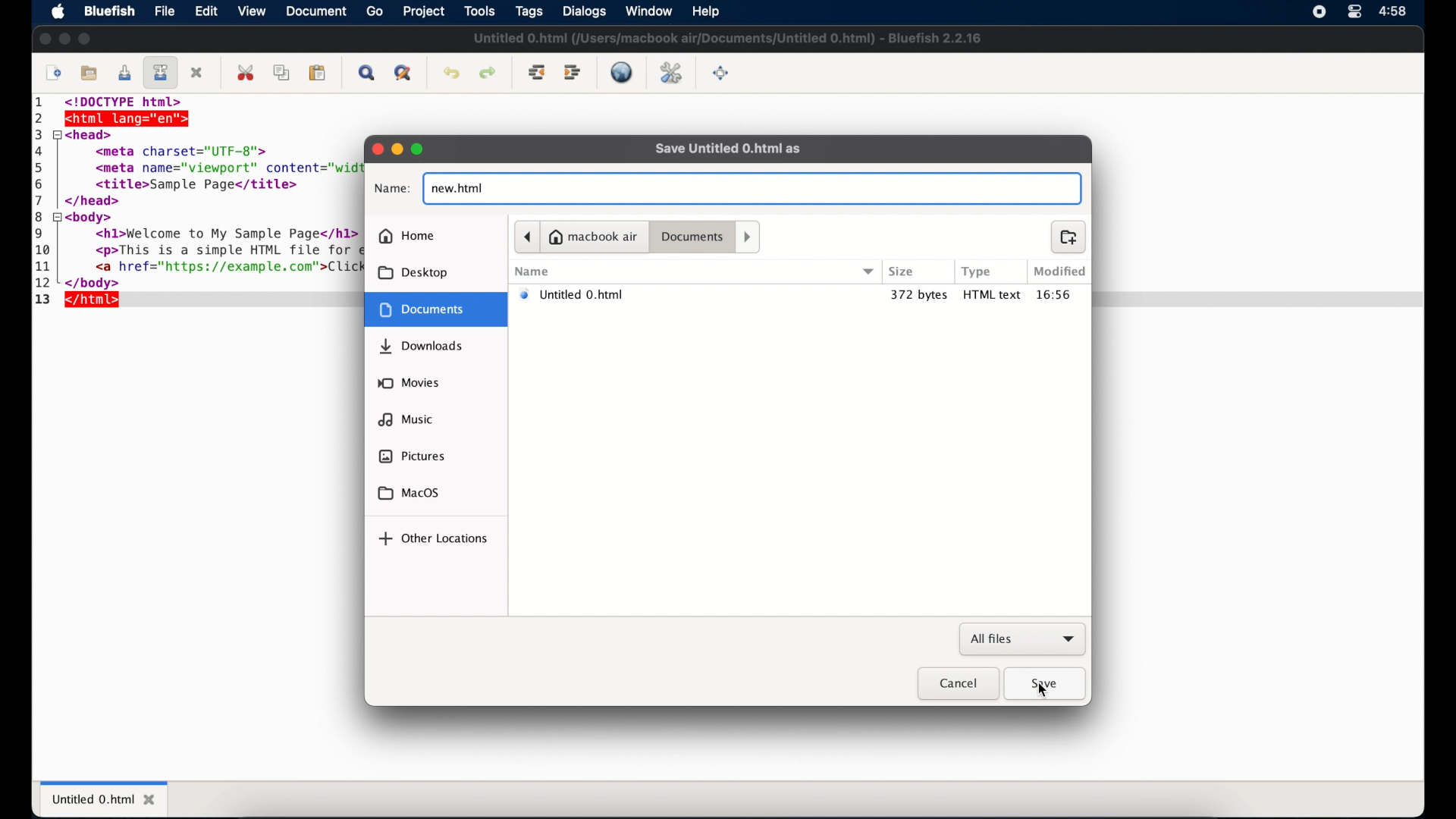 Image resolution: width=1456 pixels, height=819 pixels. What do you see at coordinates (621, 72) in the screenshot?
I see `live preview` at bounding box center [621, 72].